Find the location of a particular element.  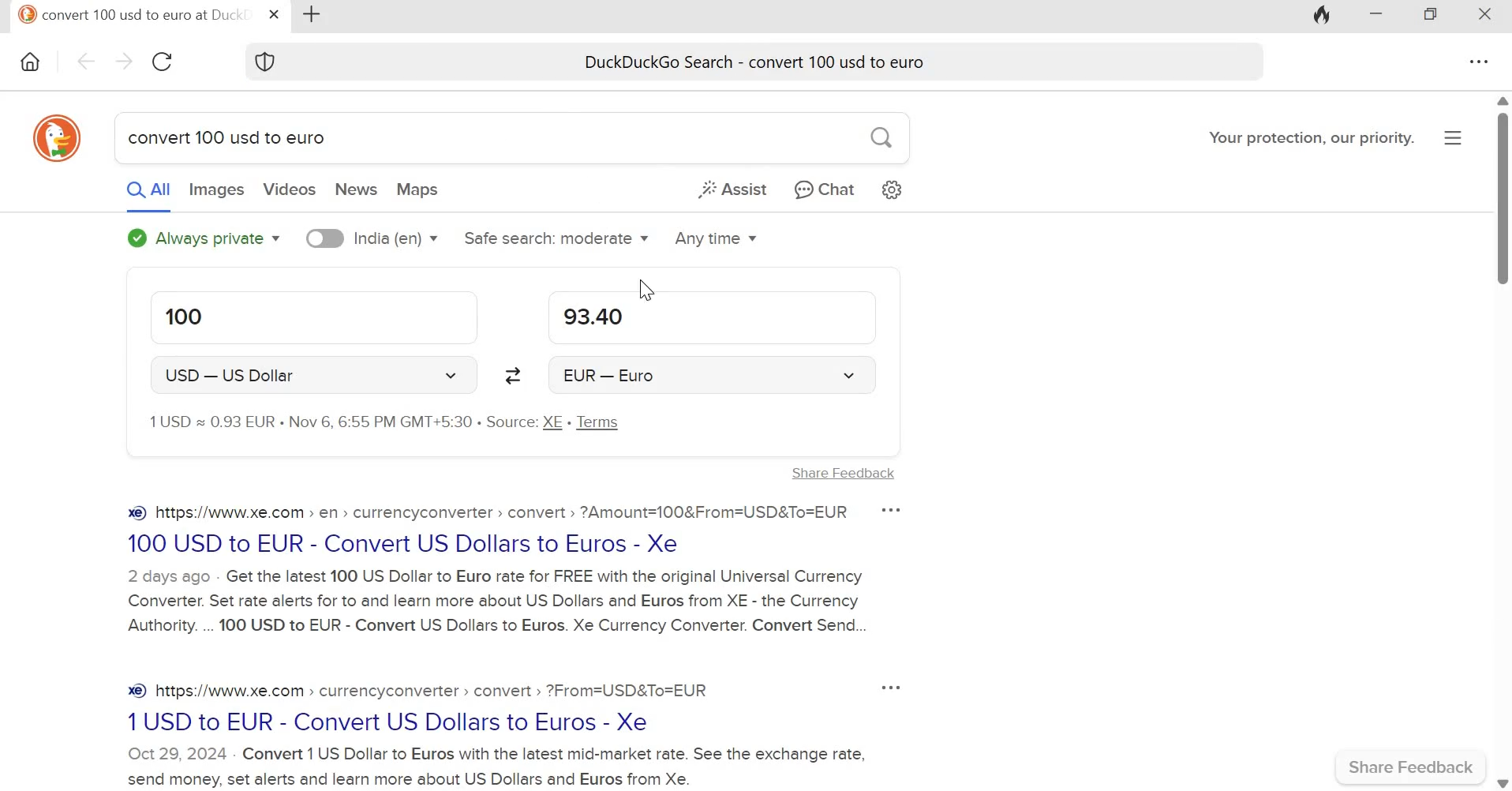

Images is located at coordinates (216, 189).